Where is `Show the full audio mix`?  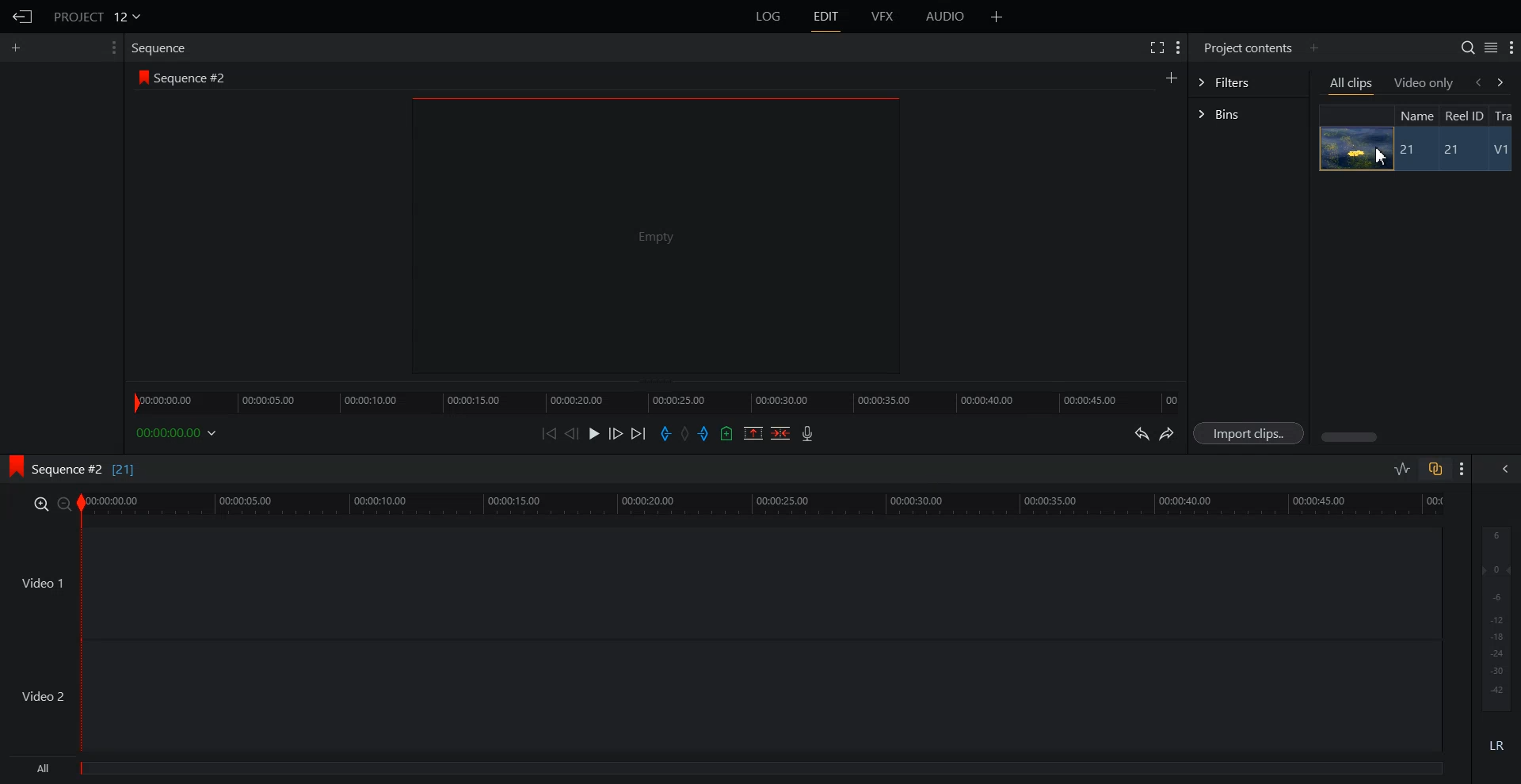 Show the full audio mix is located at coordinates (1501, 469).